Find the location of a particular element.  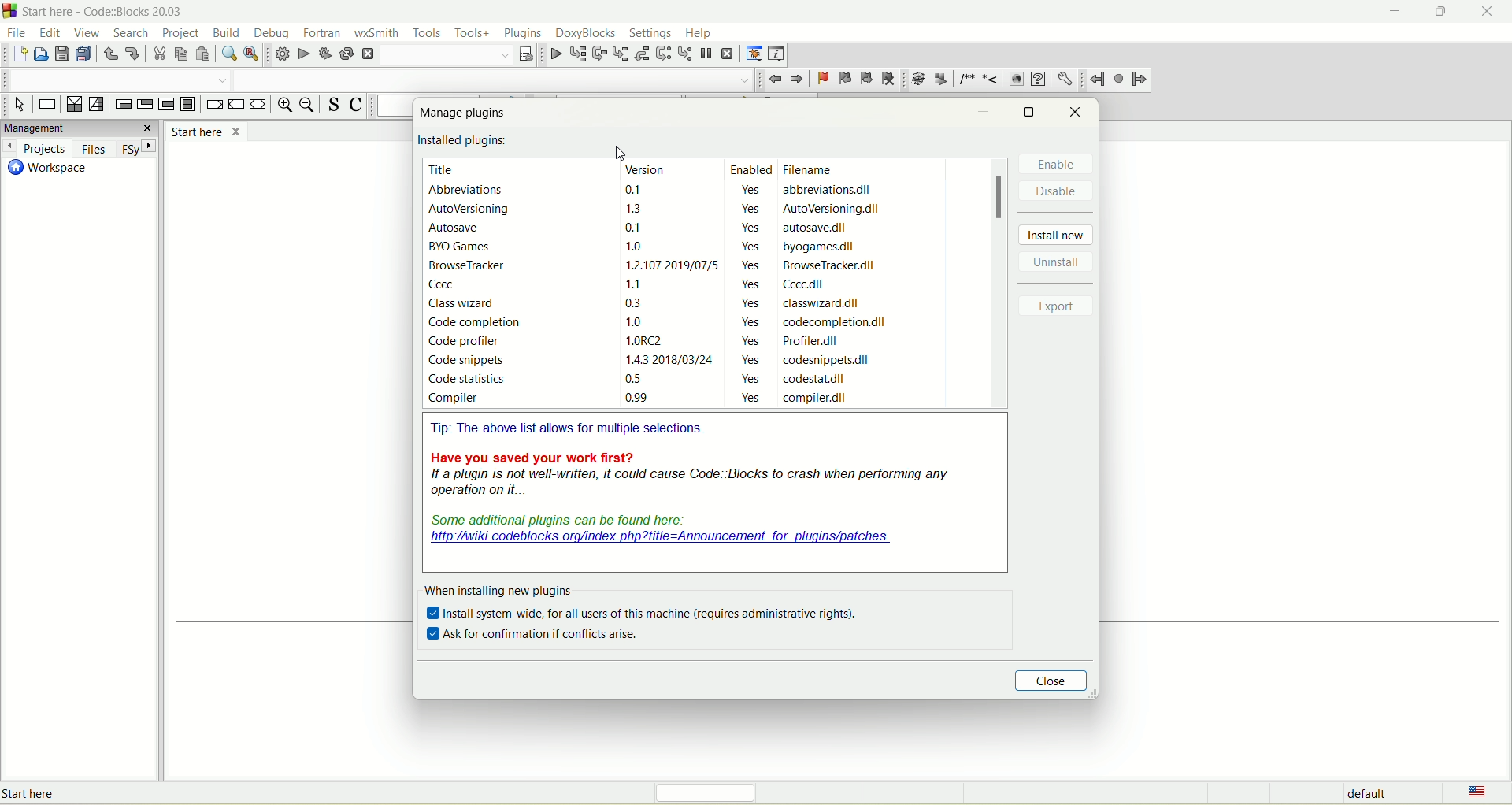

‘Compiler 099 Yes  compiler.dil is located at coordinates (641, 401).